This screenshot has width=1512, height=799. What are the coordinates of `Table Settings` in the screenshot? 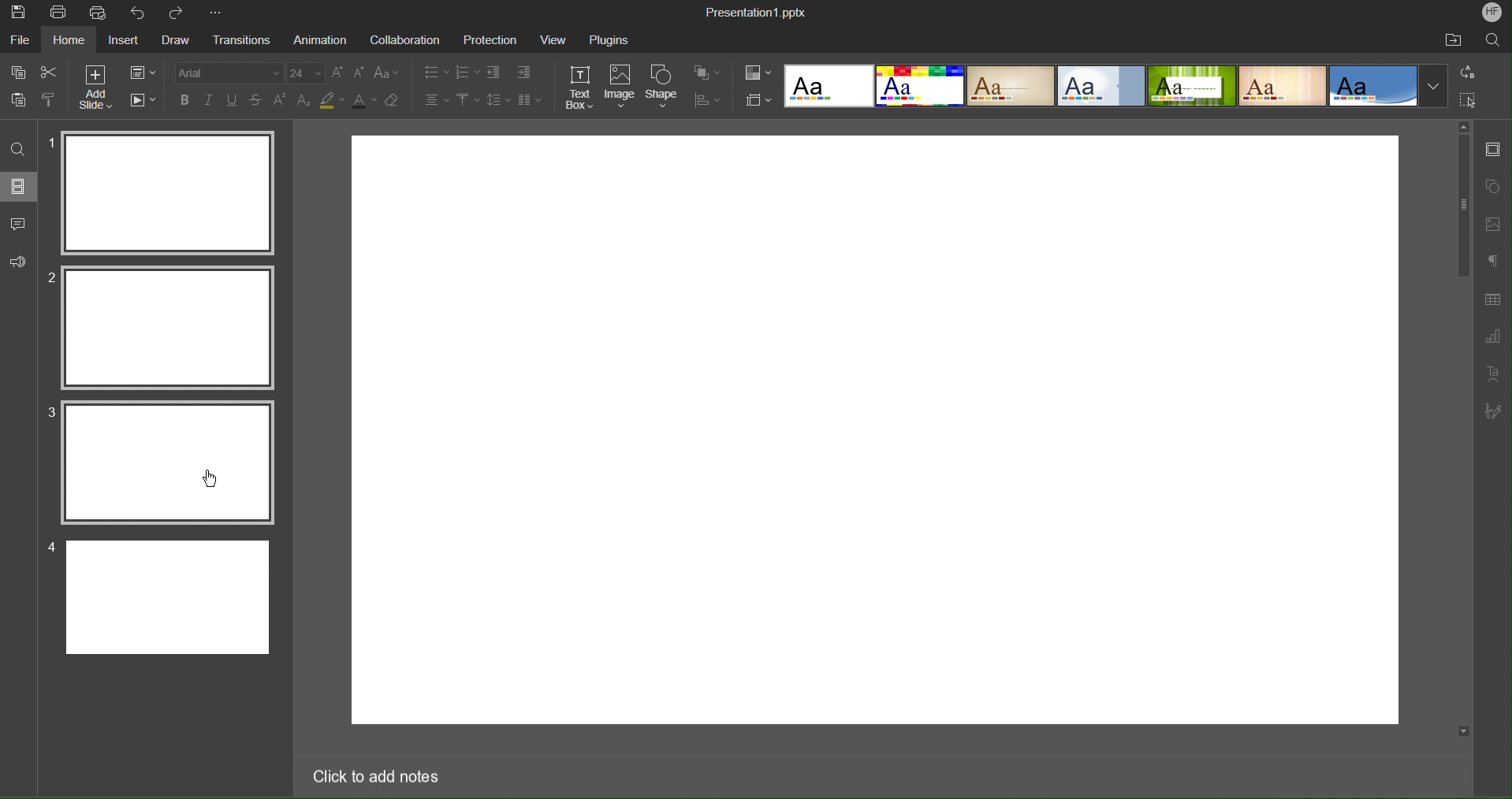 It's located at (1492, 299).